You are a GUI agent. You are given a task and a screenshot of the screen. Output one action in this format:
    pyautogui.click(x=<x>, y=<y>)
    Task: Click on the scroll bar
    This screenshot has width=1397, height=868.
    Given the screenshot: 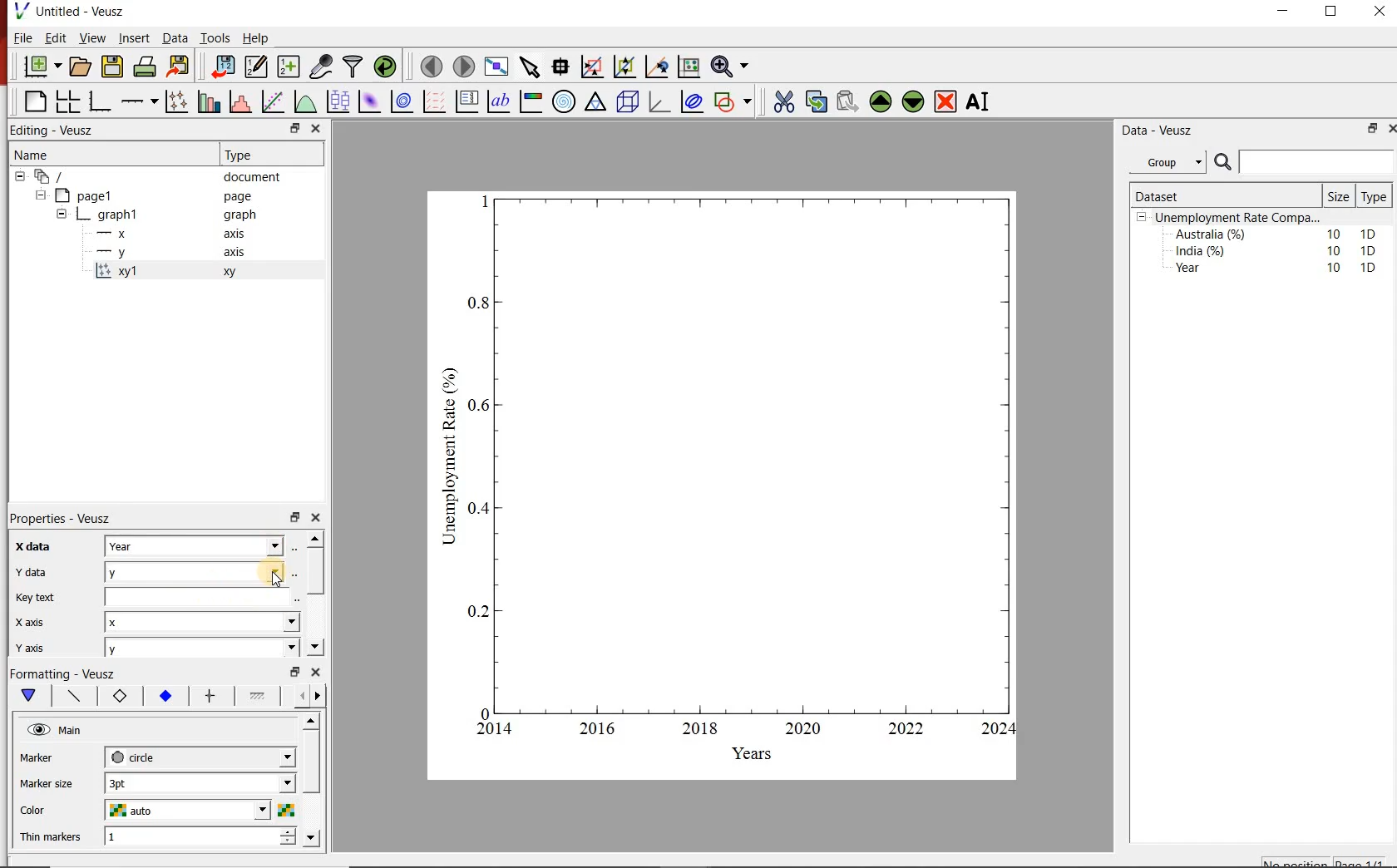 What is the action you would take?
    pyautogui.click(x=314, y=569)
    